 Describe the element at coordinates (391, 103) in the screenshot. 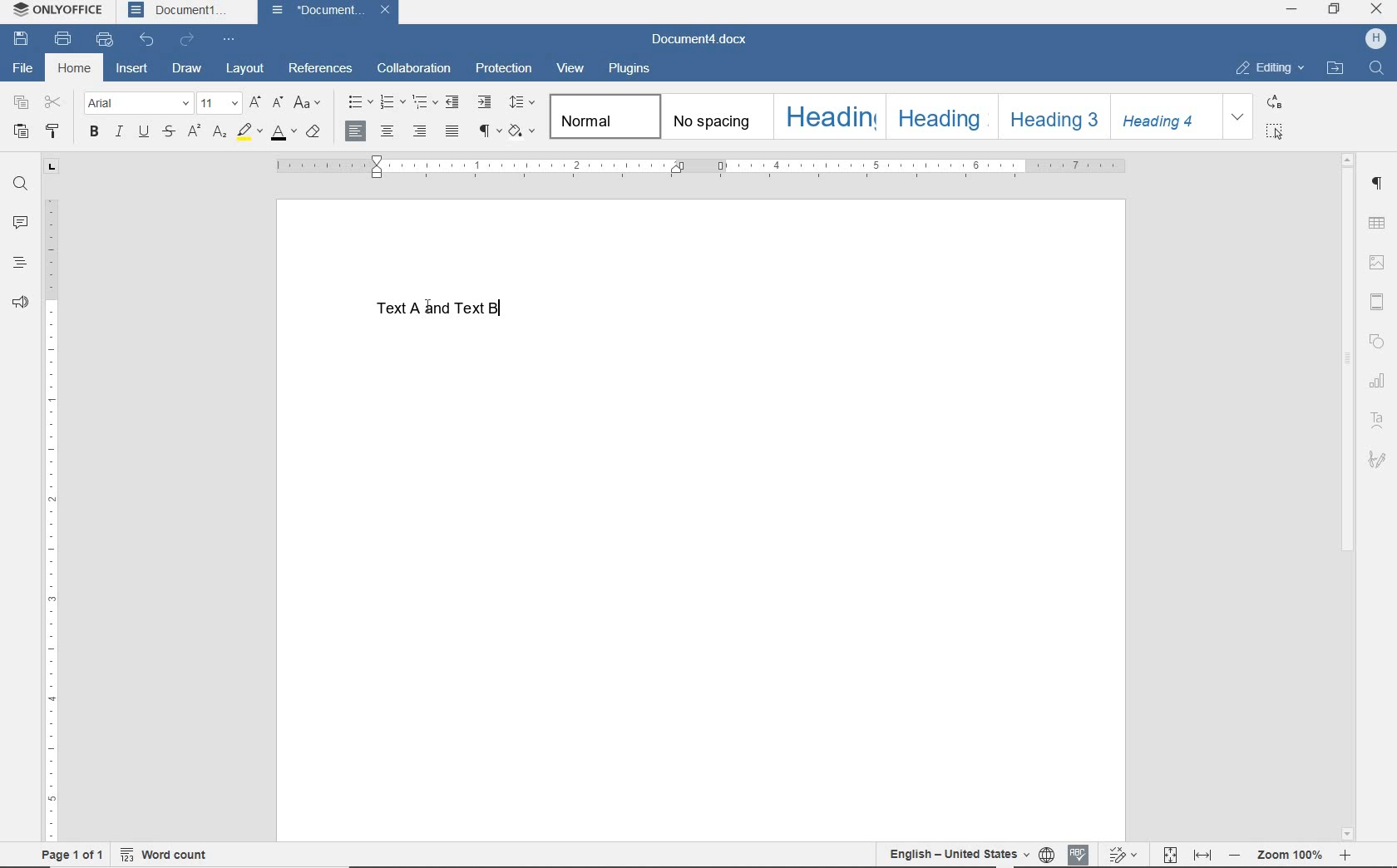

I see `NUMBERING` at that location.